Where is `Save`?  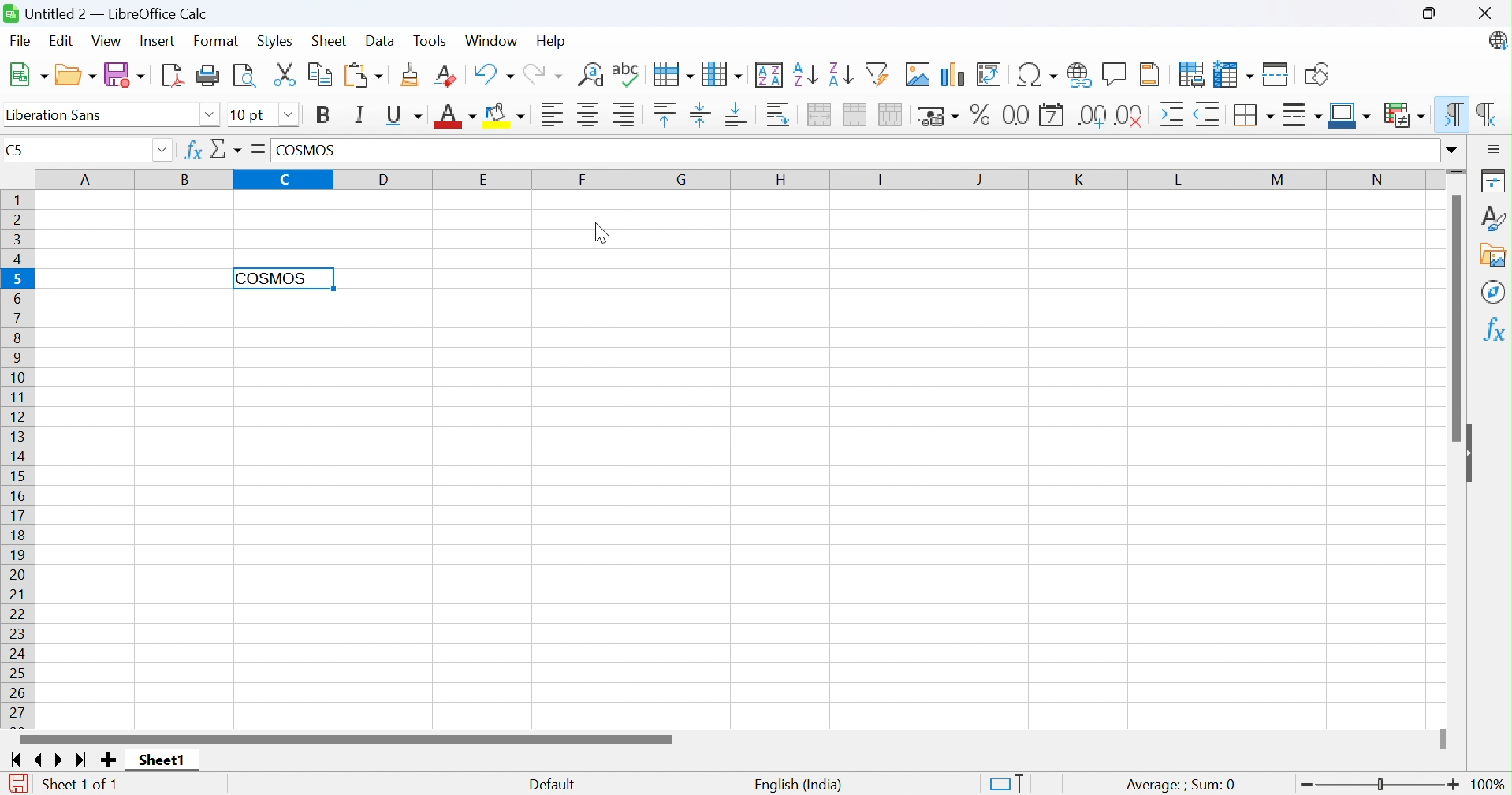
Save is located at coordinates (124, 74).